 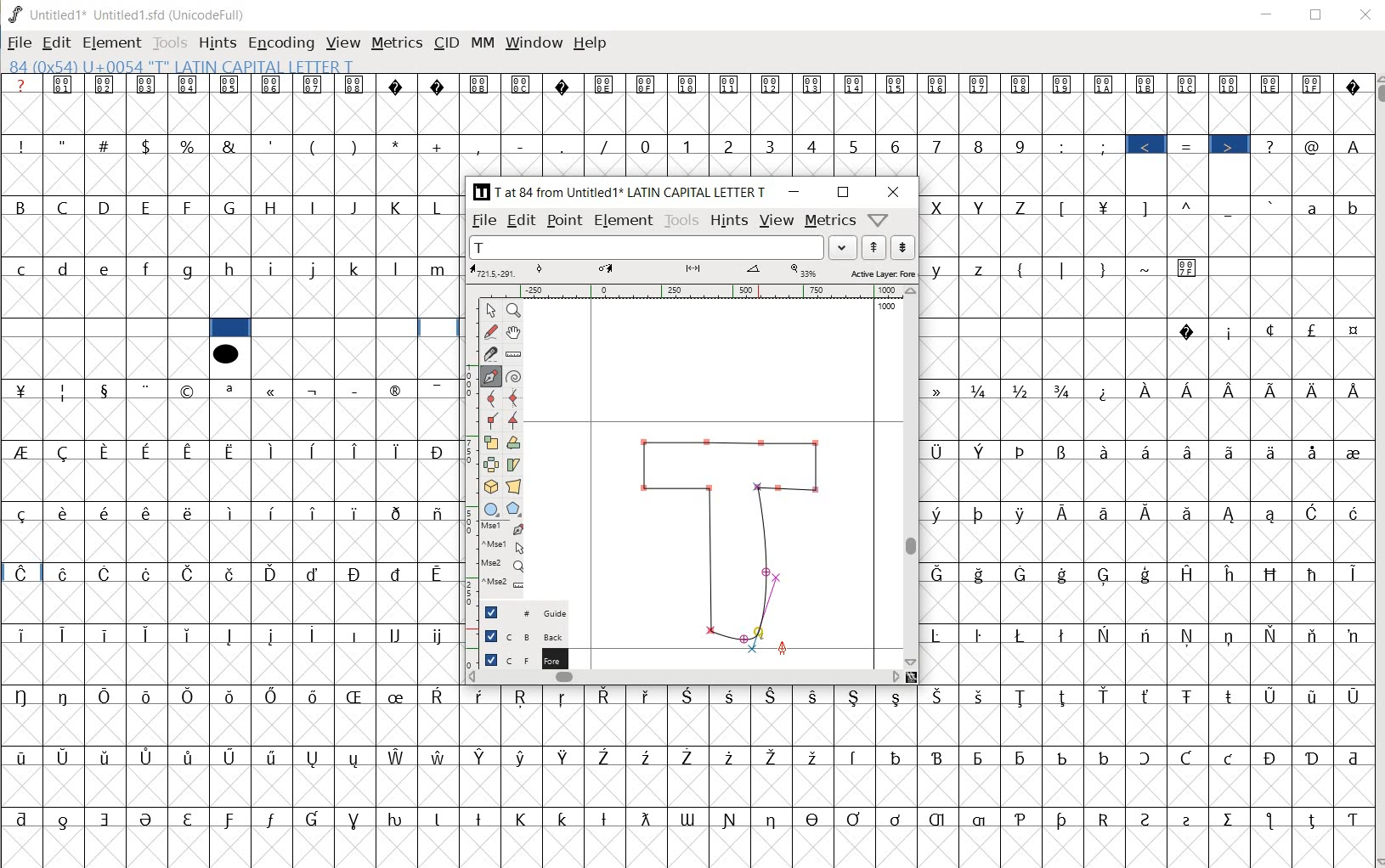 I want to click on Symbol, so click(x=1024, y=391).